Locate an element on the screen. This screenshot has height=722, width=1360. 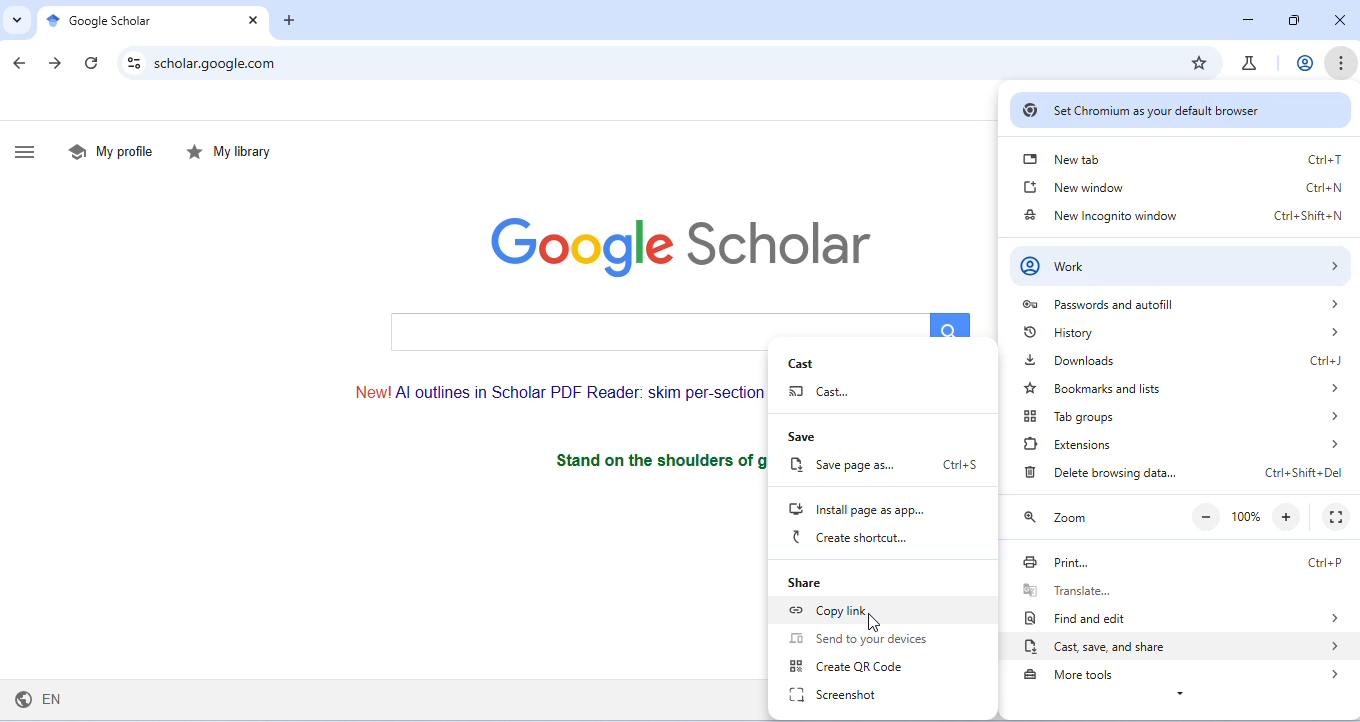
zoom is located at coordinates (1060, 516).